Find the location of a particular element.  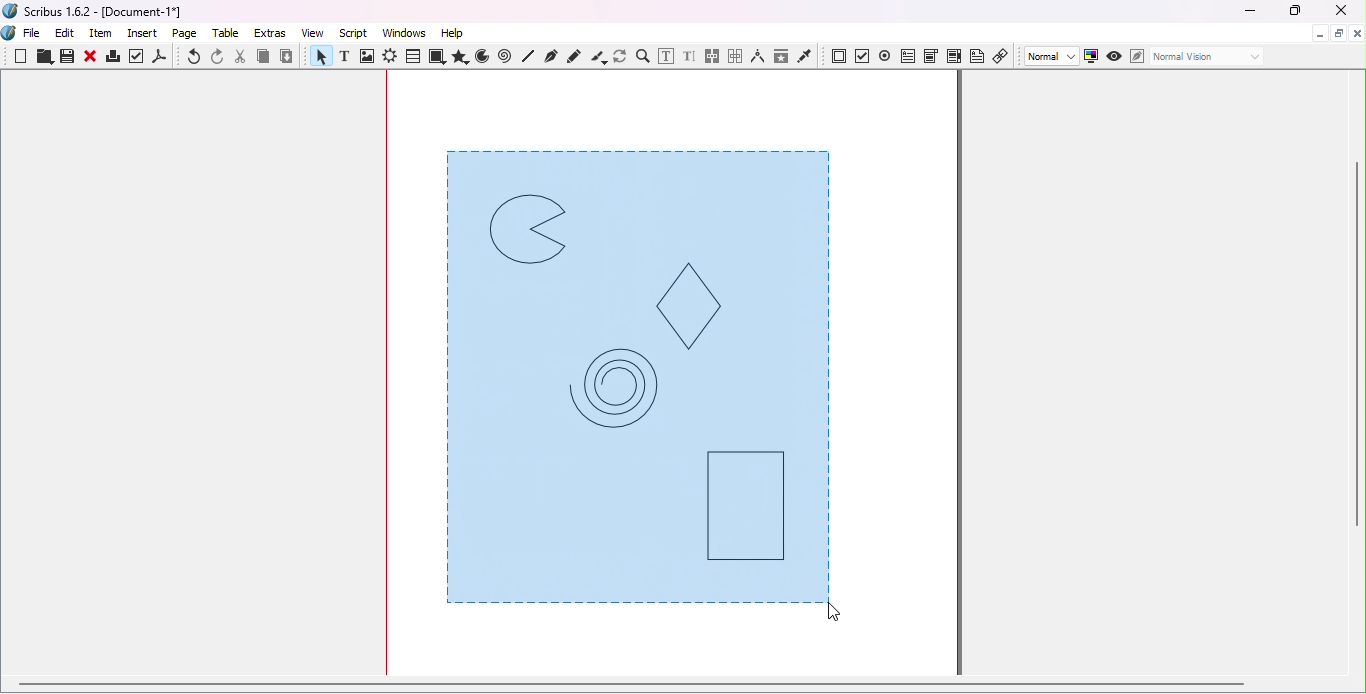

Script is located at coordinates (356, 32).